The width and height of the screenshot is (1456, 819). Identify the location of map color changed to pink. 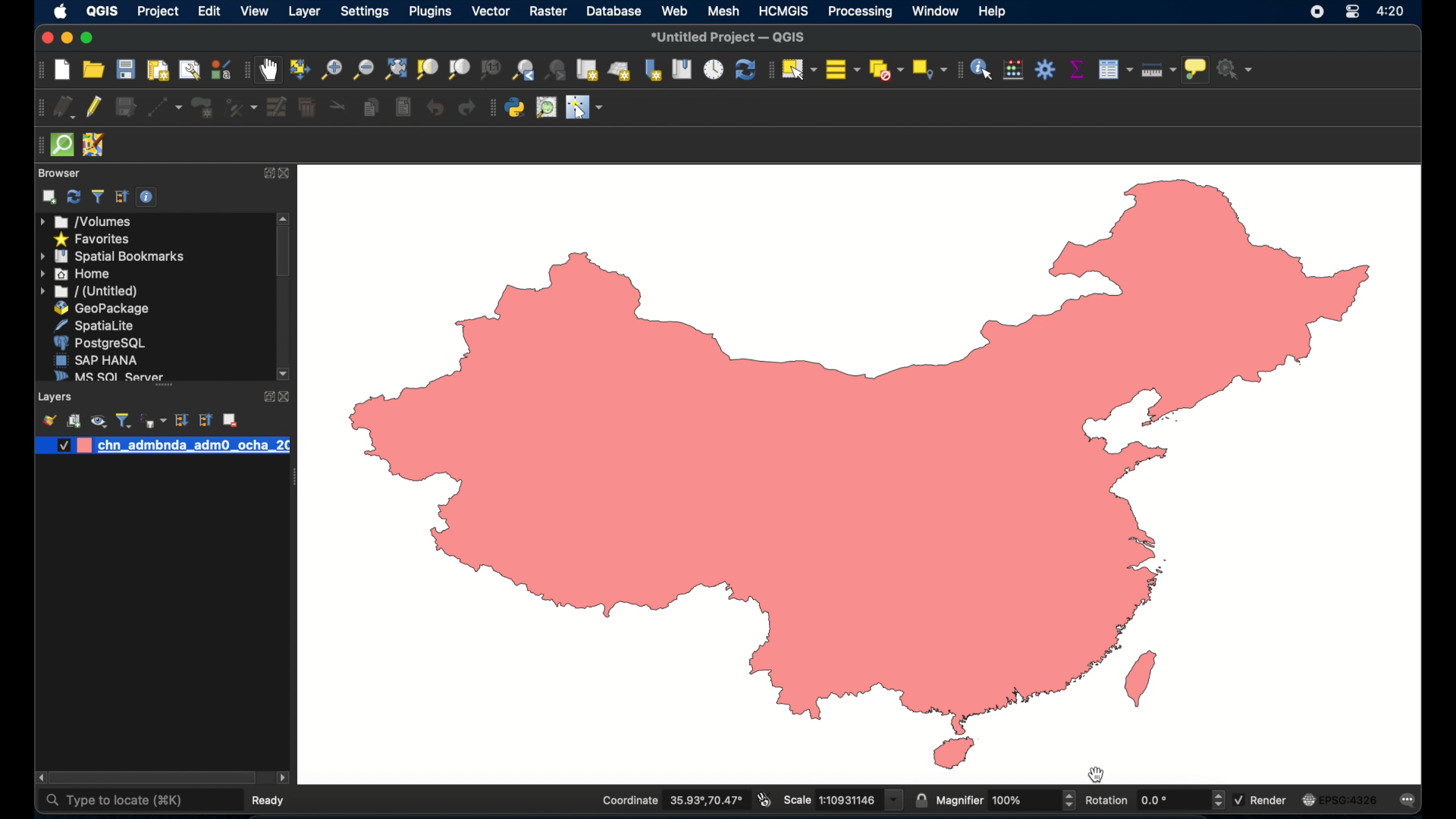
(864, 475).